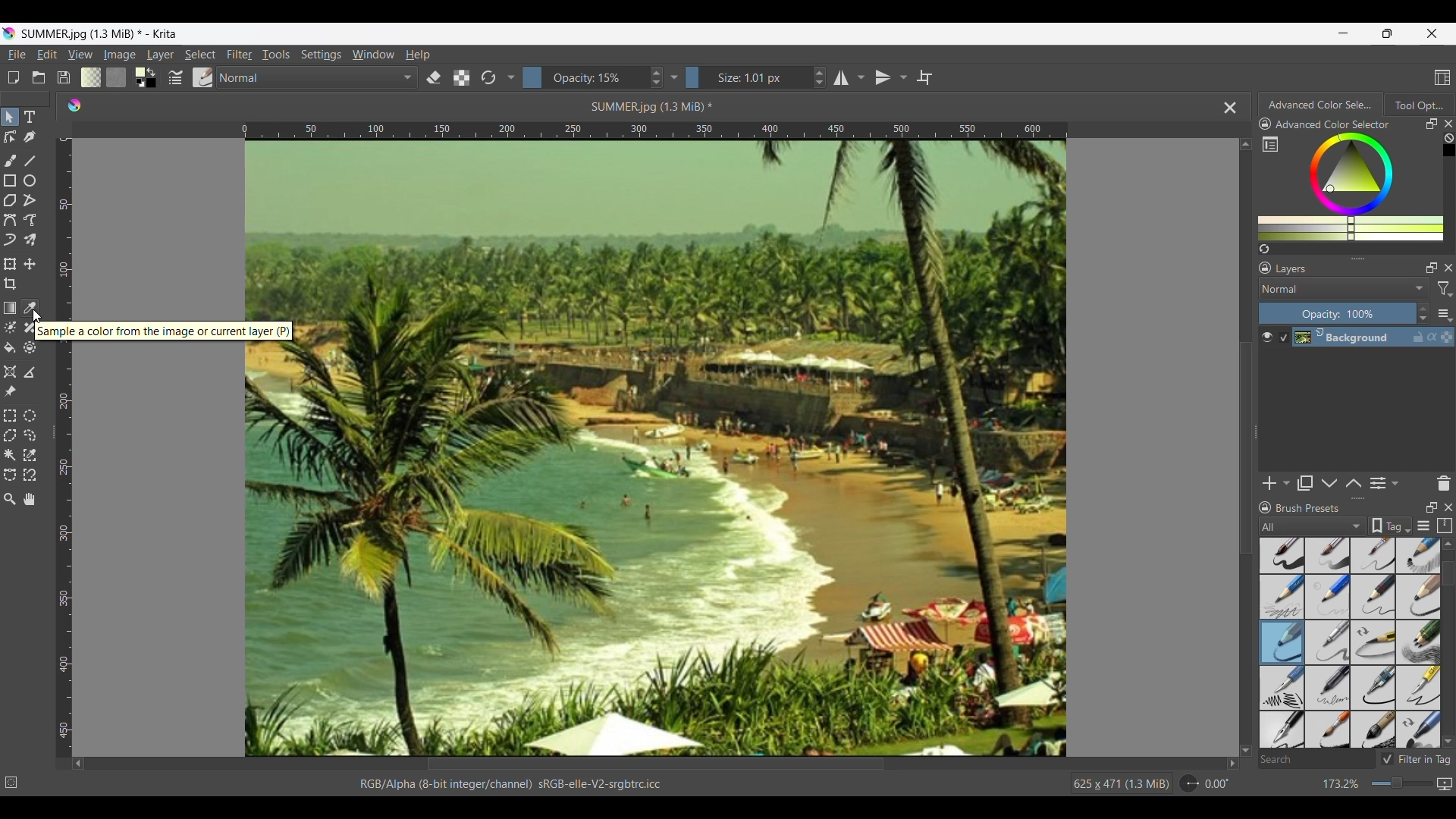 The height and width of the screenshot is (819, 1456). What do you see at coordinates (9, 392) in the screenshot?
I see `Reference images tool` at bounding box center [9, 392].